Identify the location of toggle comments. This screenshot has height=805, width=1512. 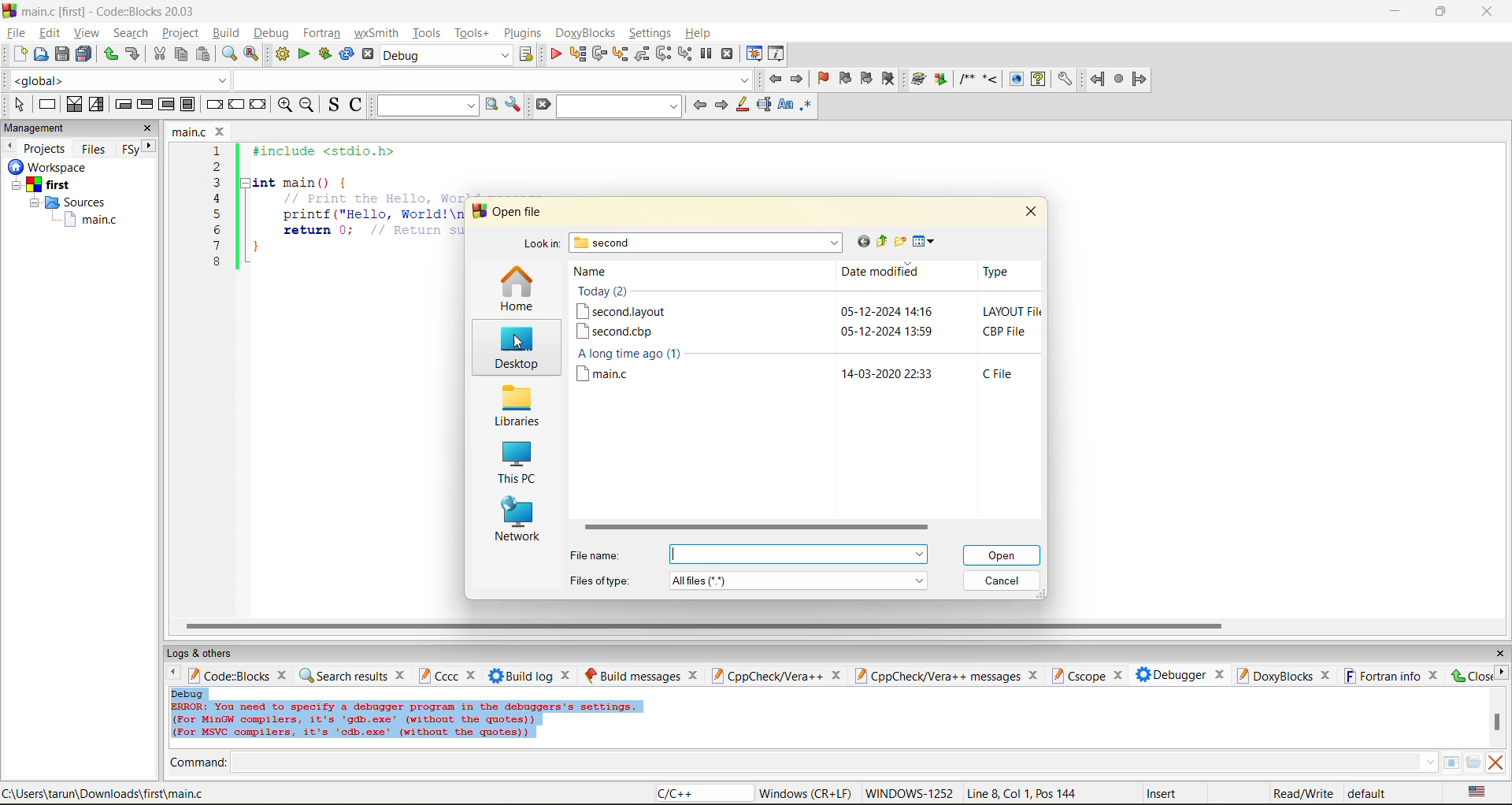
(358, 104).